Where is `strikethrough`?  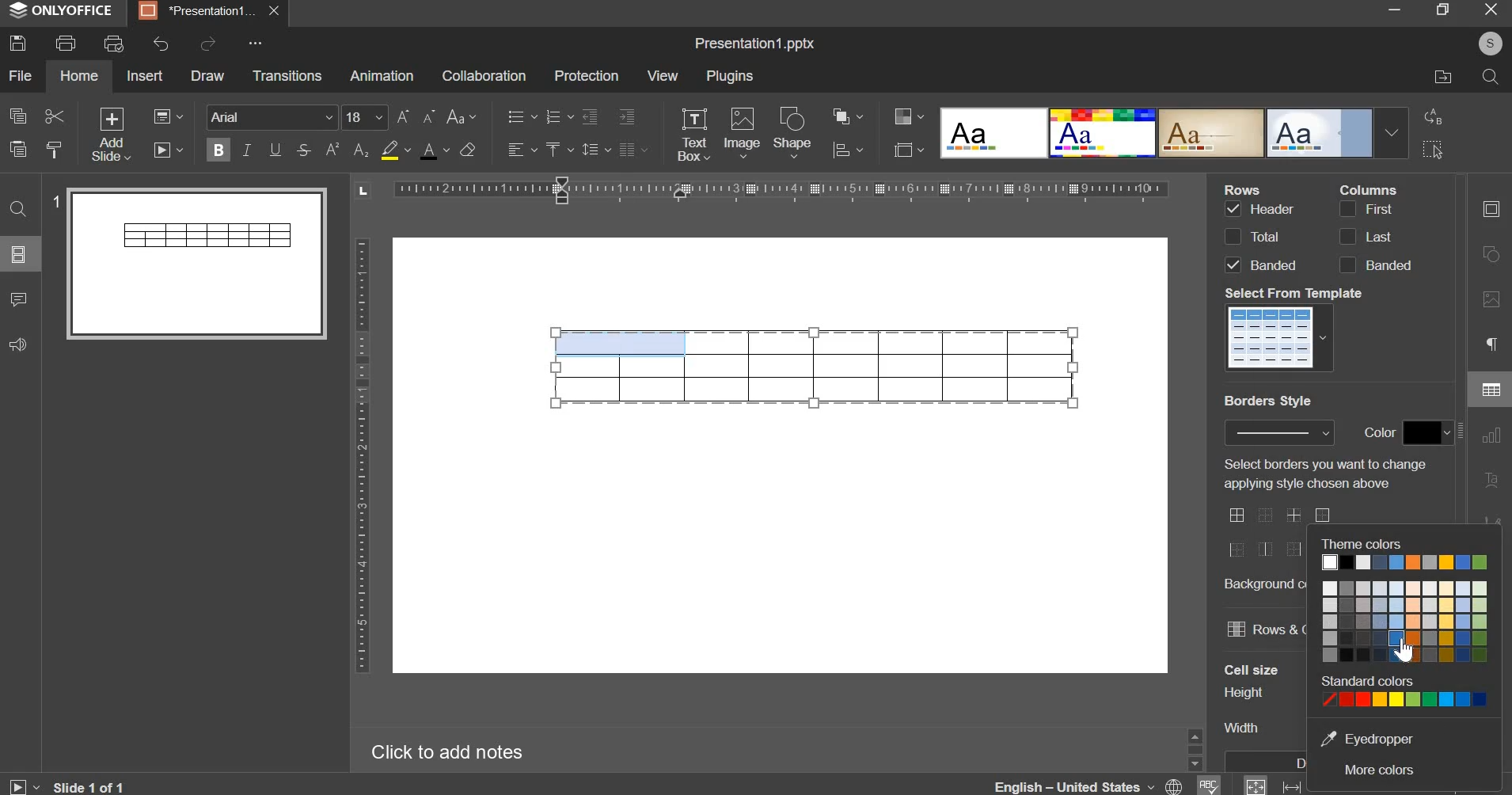 strikethrough is located at coordinates (302, 150).